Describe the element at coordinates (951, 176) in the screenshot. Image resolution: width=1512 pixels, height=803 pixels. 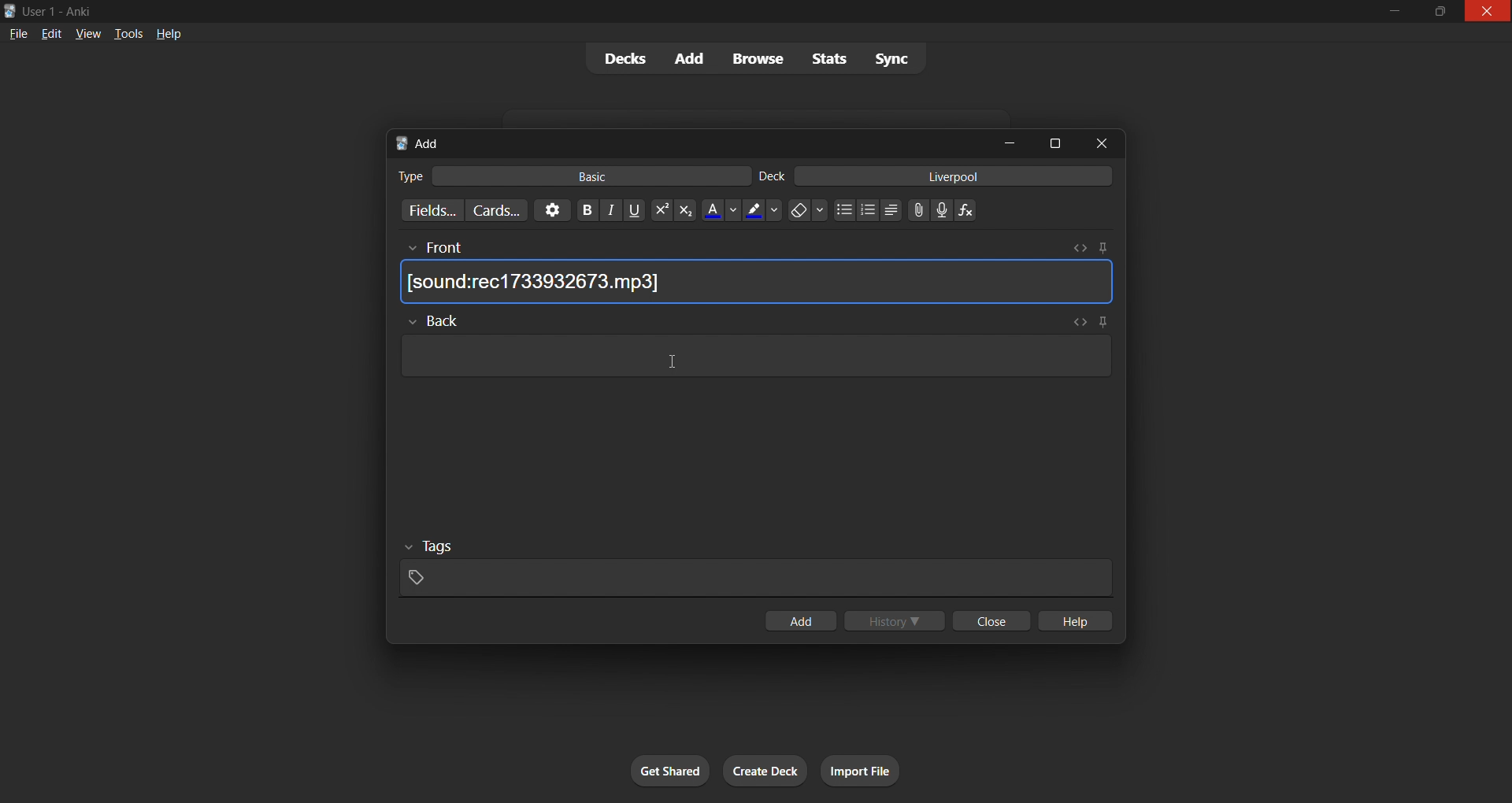
I see `` at that location.